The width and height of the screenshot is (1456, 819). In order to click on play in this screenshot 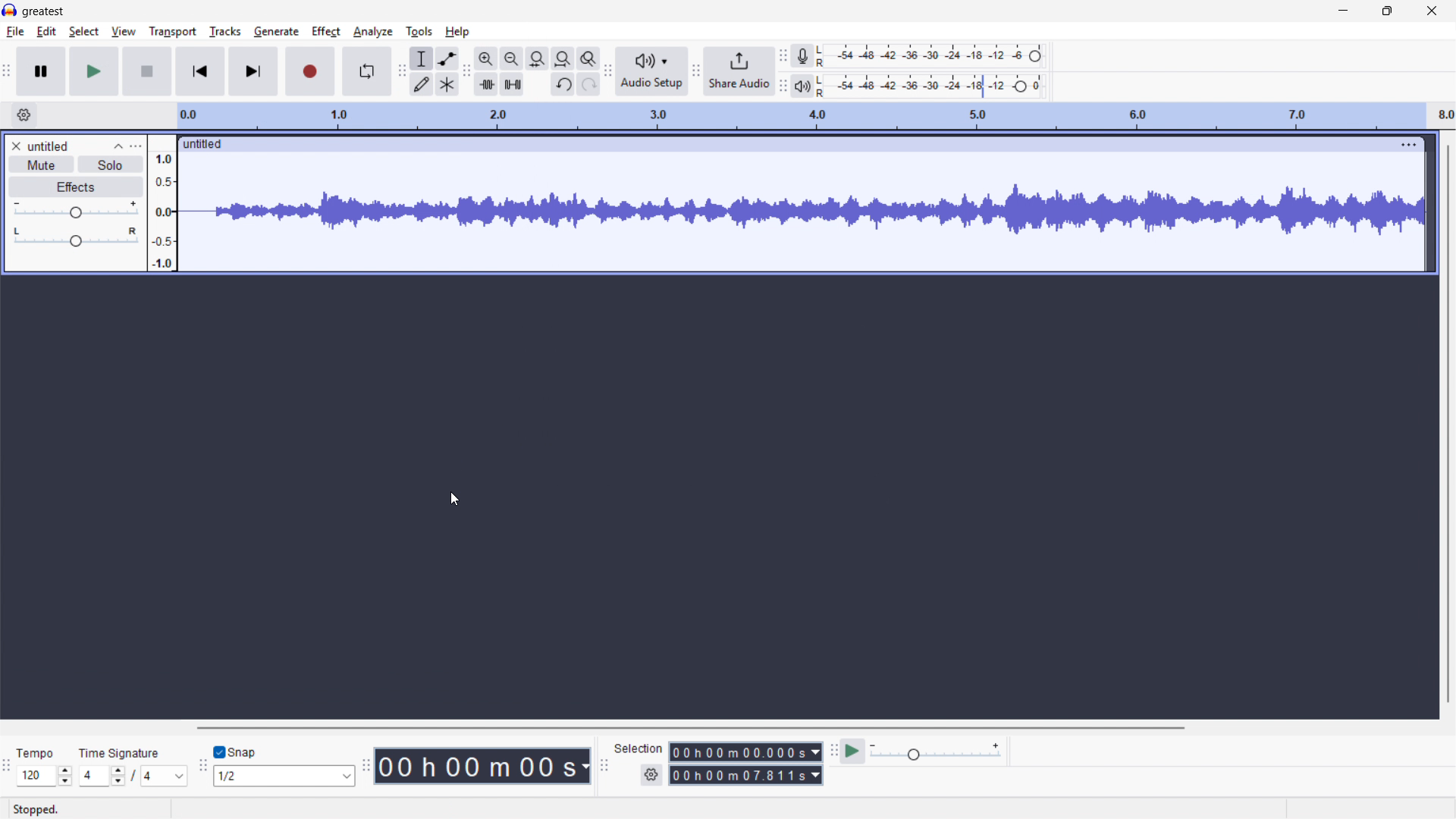, I will do `click(95, 71)`.